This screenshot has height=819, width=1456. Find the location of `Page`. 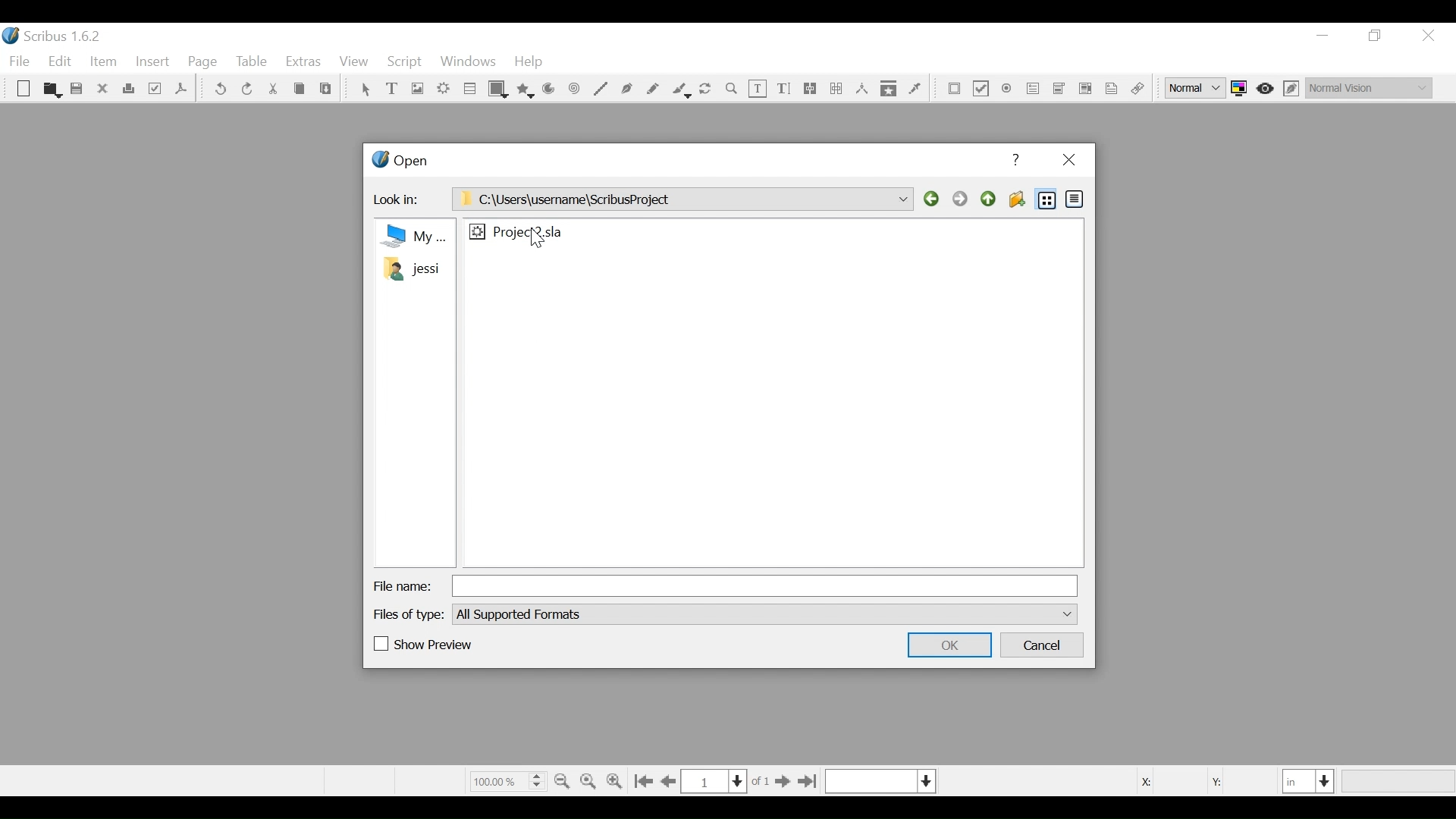

Page is located at coordinates (203, 63).